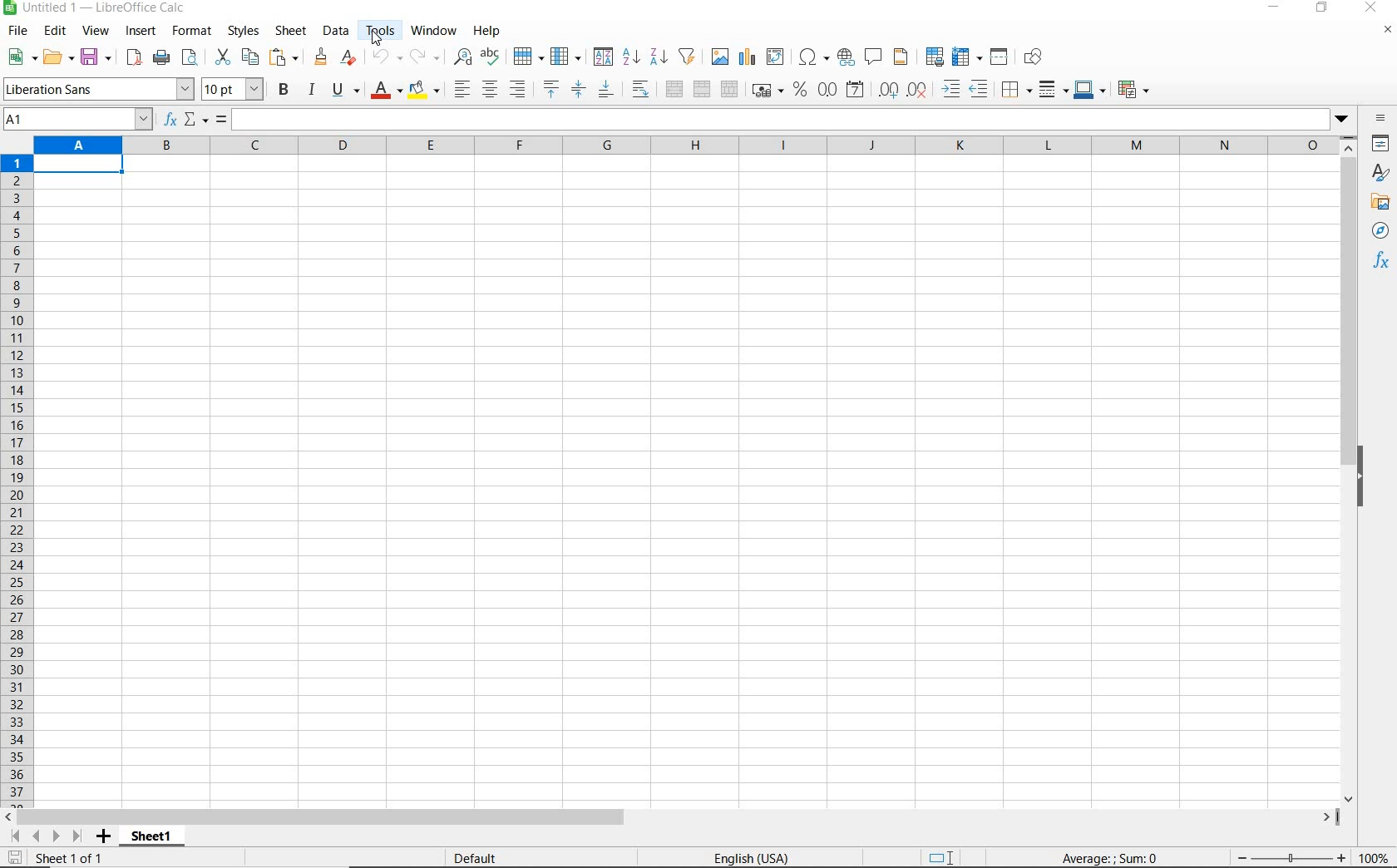 The height and width of the screenshot is (868, 1397). Describe the element at coordinates (519, 89) in the screenshot. I see `align right` at that location.